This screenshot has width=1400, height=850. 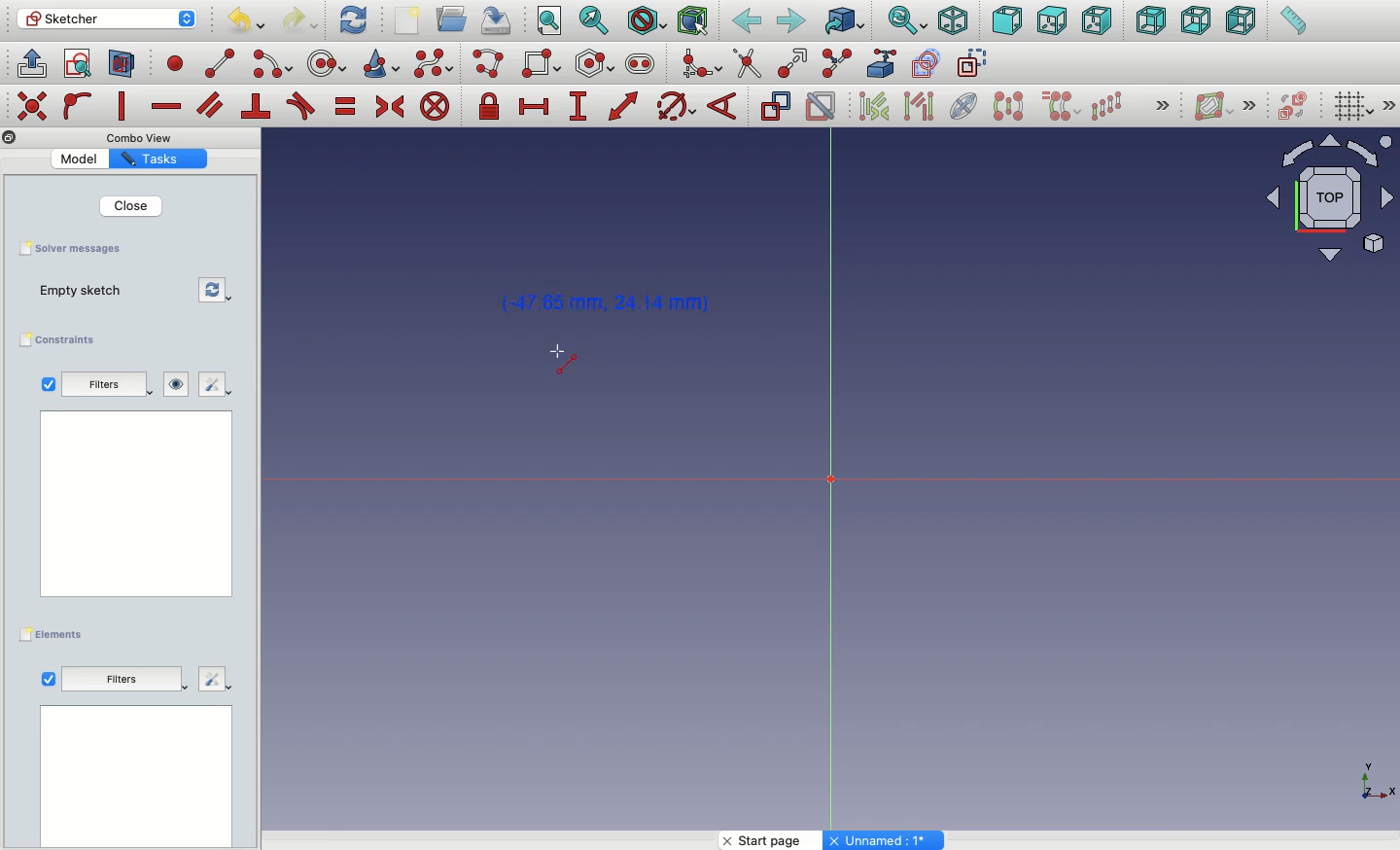 I want to click on trim edge, so click(x=747, y=64).